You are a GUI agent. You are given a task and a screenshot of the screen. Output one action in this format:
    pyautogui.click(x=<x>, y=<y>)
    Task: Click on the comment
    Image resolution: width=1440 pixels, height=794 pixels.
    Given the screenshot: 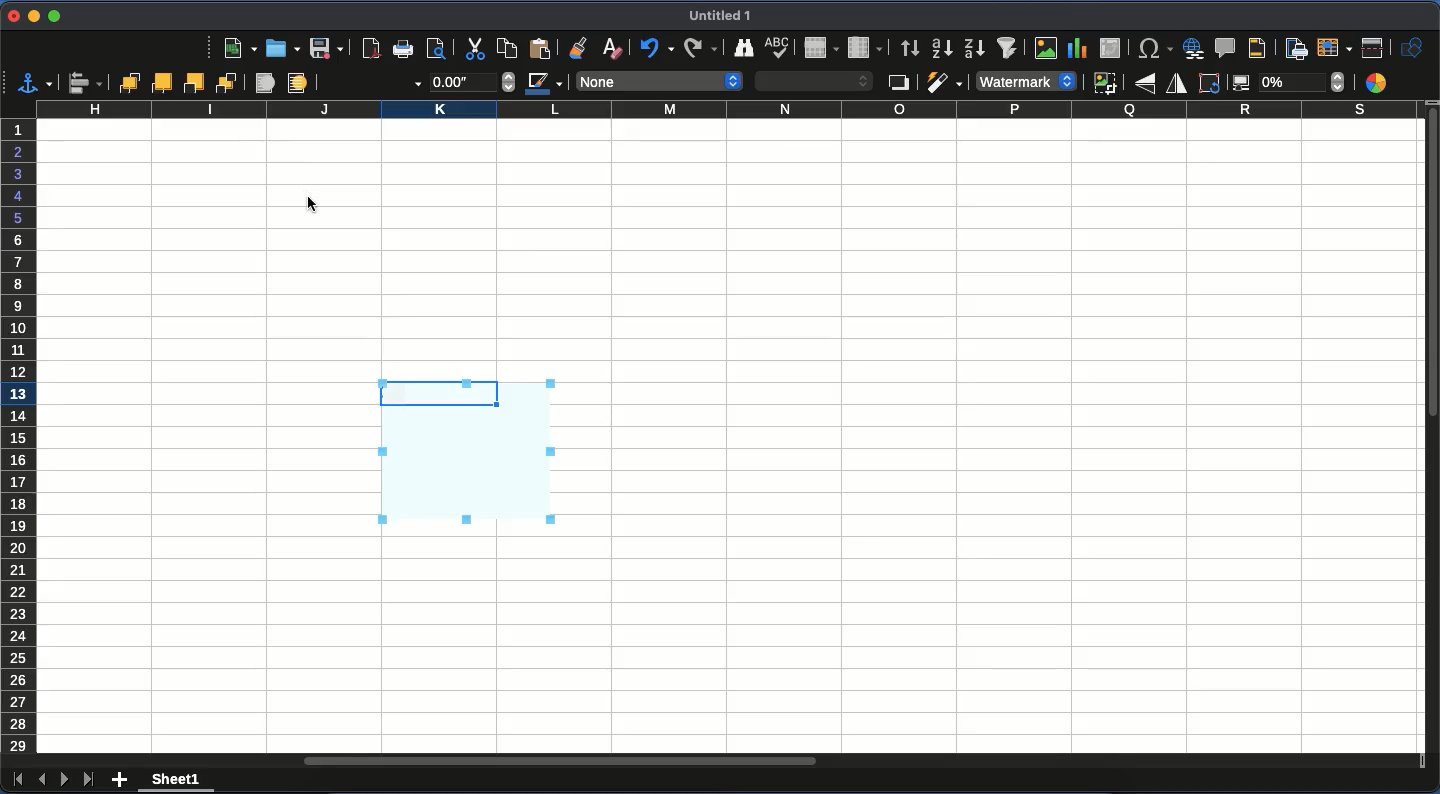 What is the action you would take?
    pyautogui.click(x=1226, y=47)
    